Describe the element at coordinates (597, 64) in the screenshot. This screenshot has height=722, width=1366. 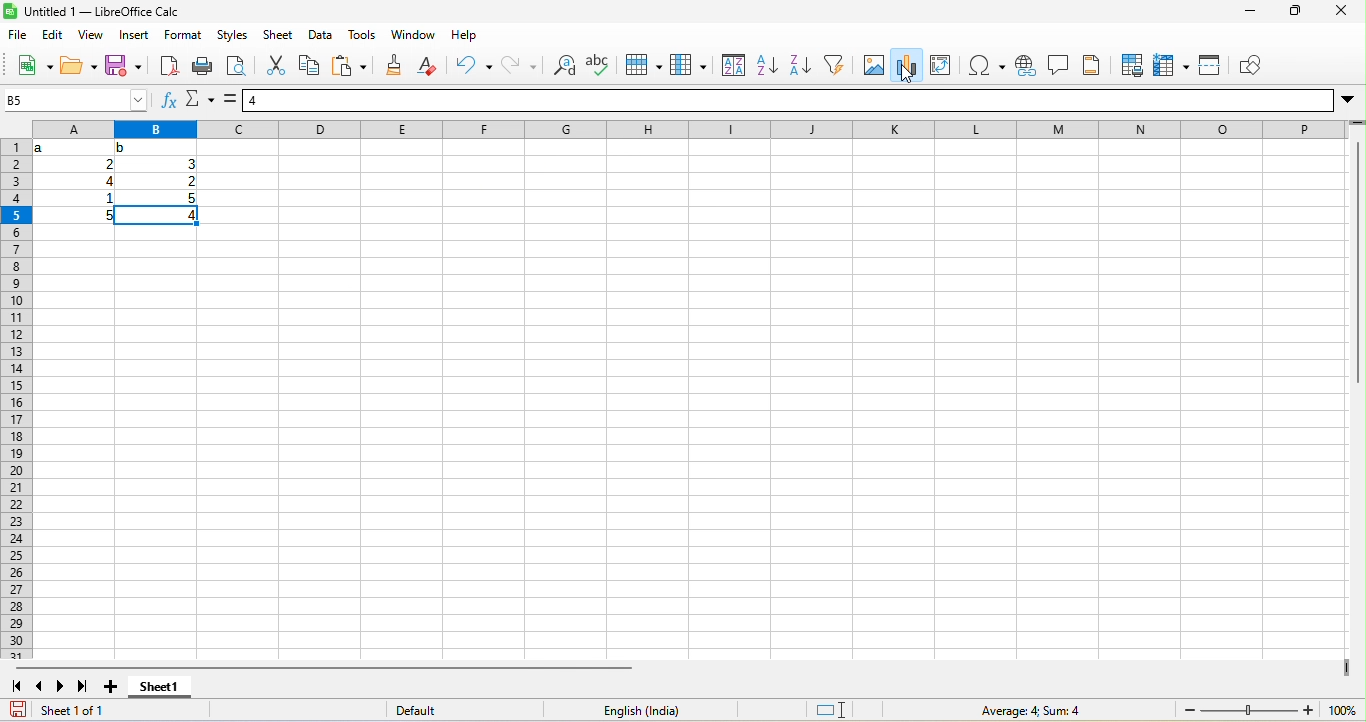
I see `spelling` at that location.